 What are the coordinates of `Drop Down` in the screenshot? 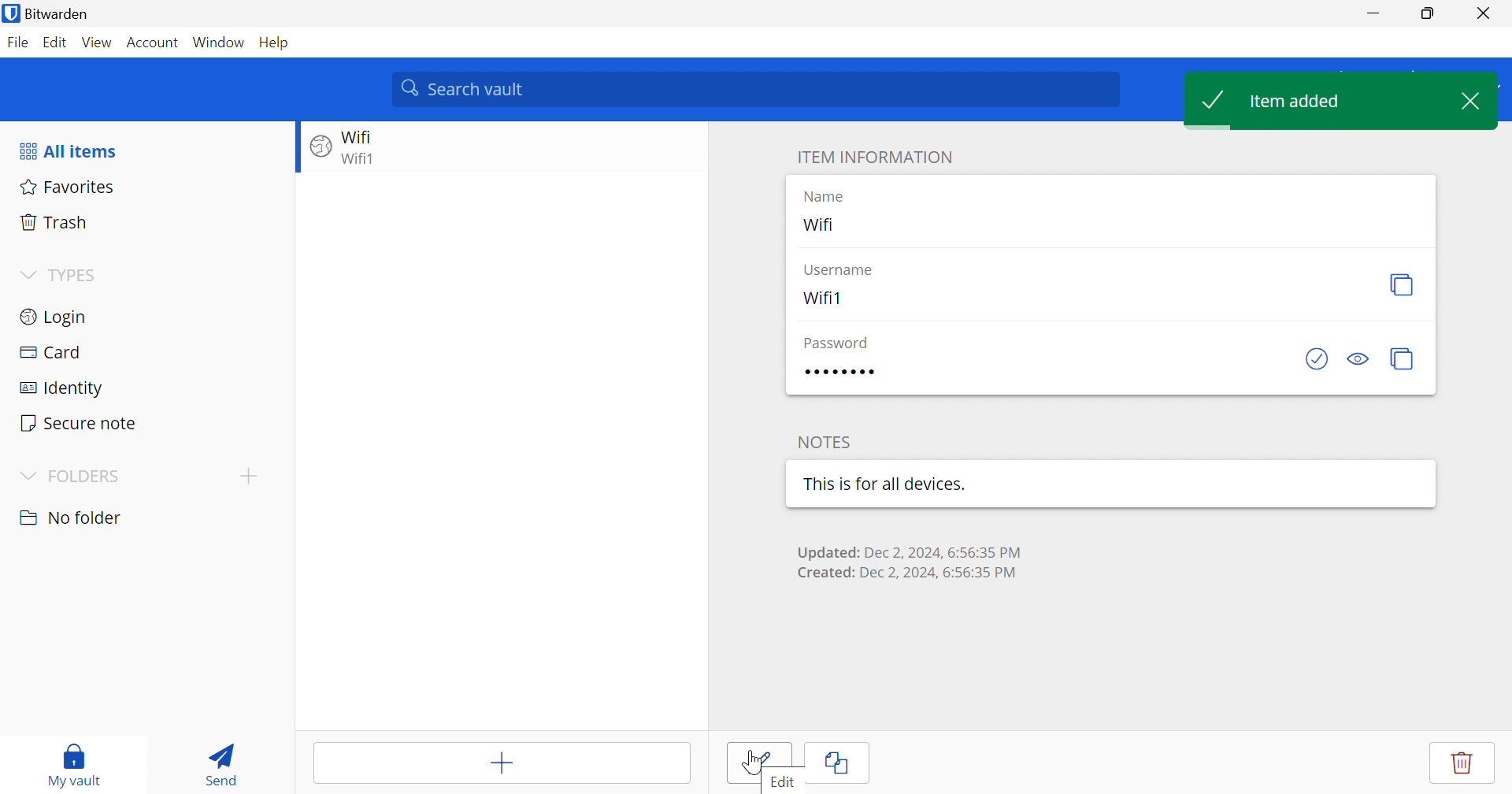 It's located at (248, 475).